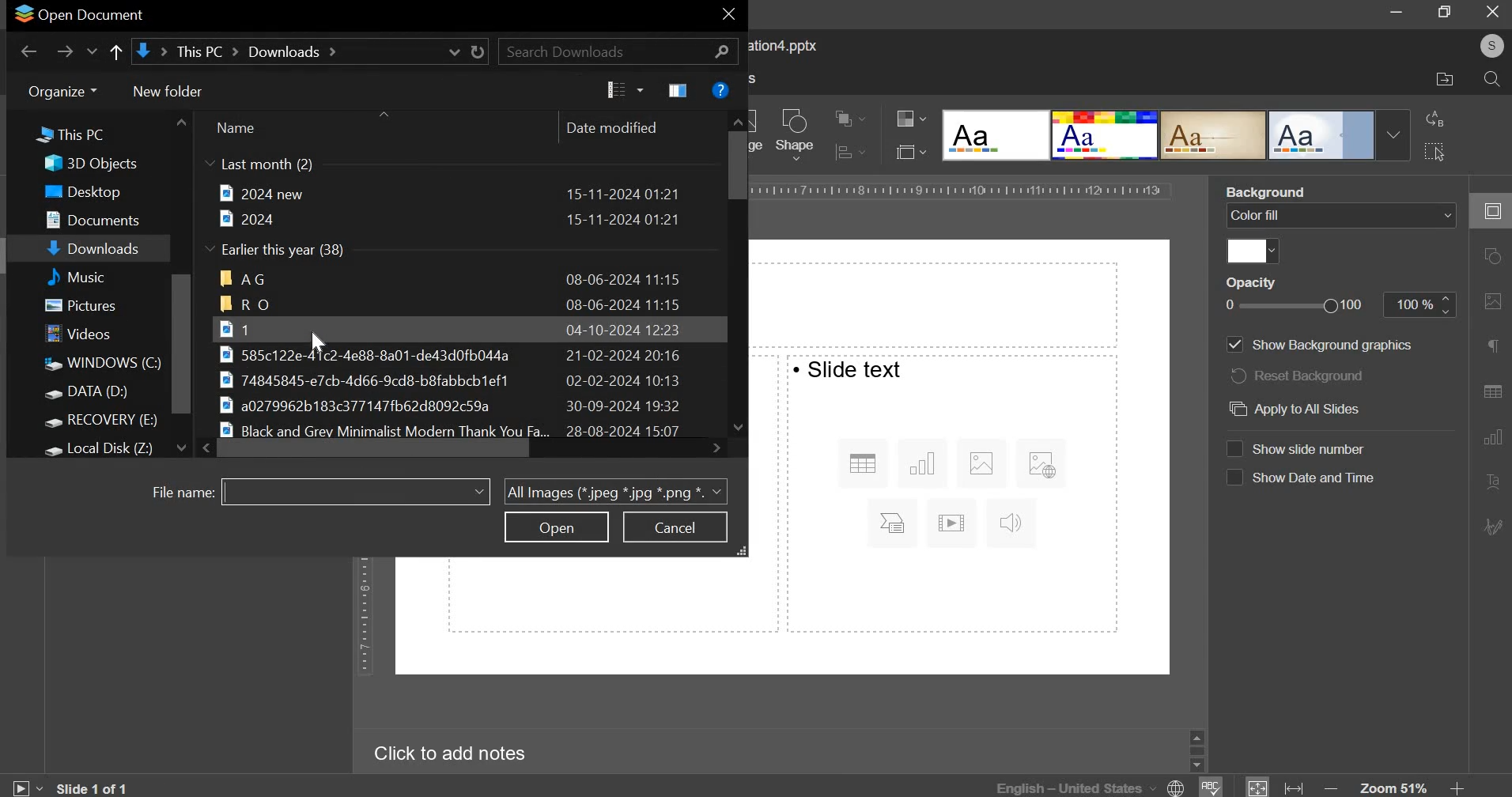 This screenshot has width=1512, height=797. What do you see at coordinates (115, 54) in the screenshot?
I see `up to` at bounding box center [115, 54].